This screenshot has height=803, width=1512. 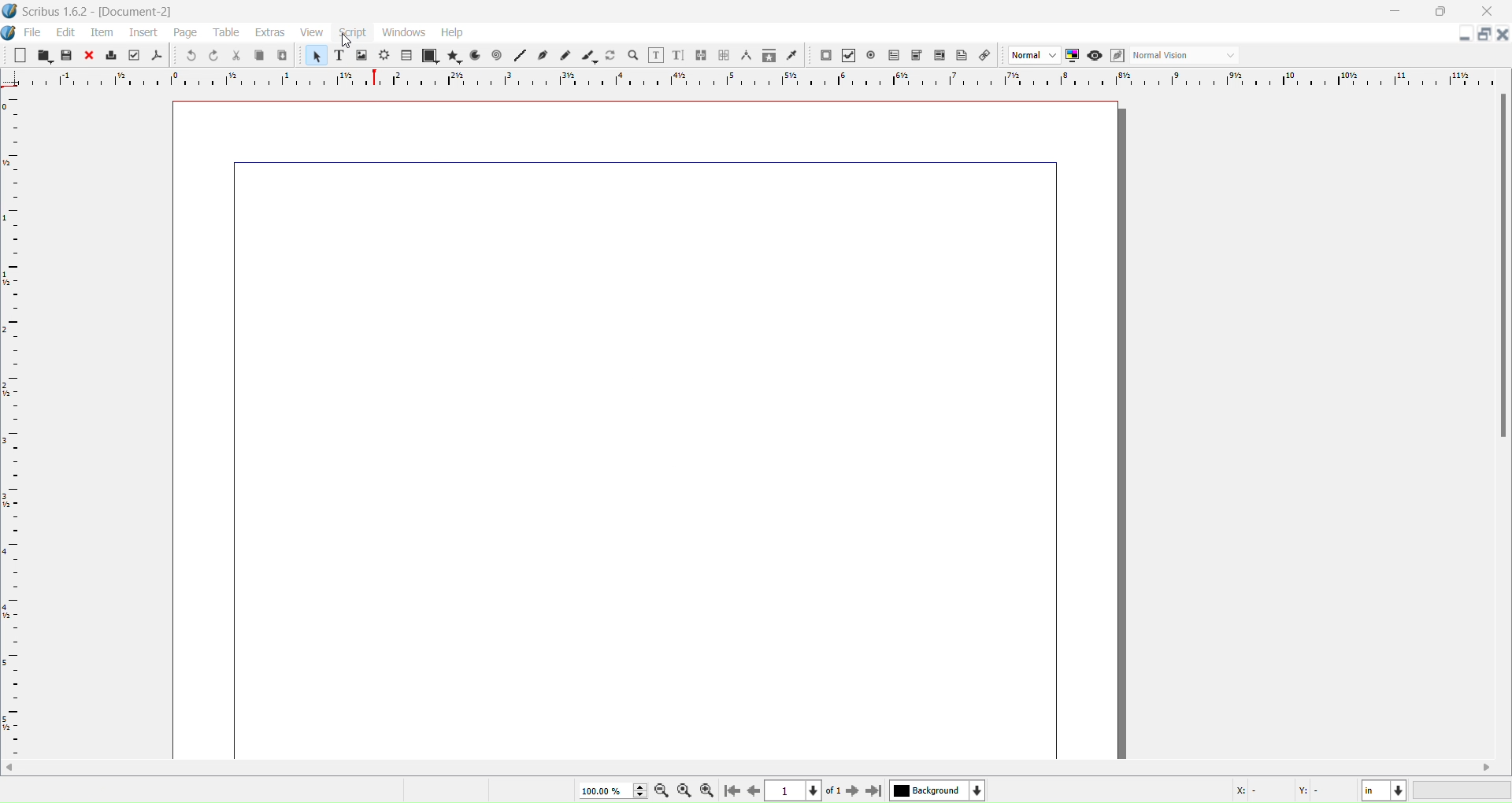 I want to click on Edit, so click(x=67, y=33).